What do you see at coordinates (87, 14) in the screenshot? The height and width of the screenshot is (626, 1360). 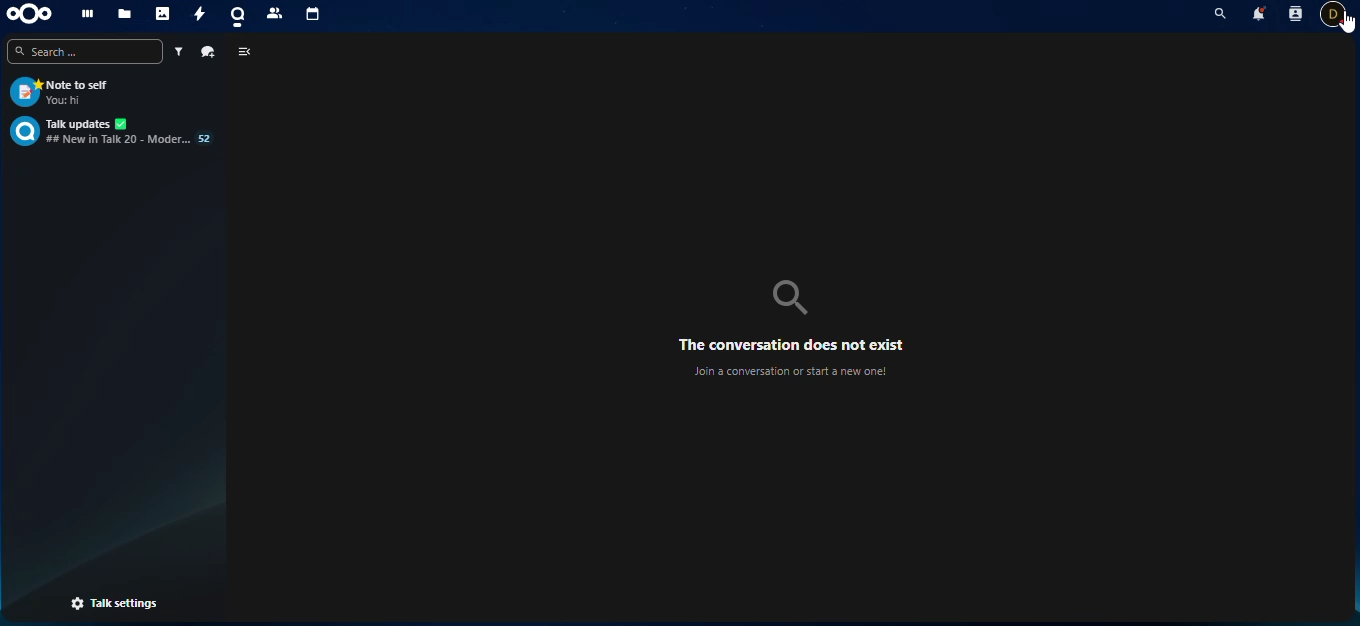 I see `dashboard` at bounding box center [87, 14].